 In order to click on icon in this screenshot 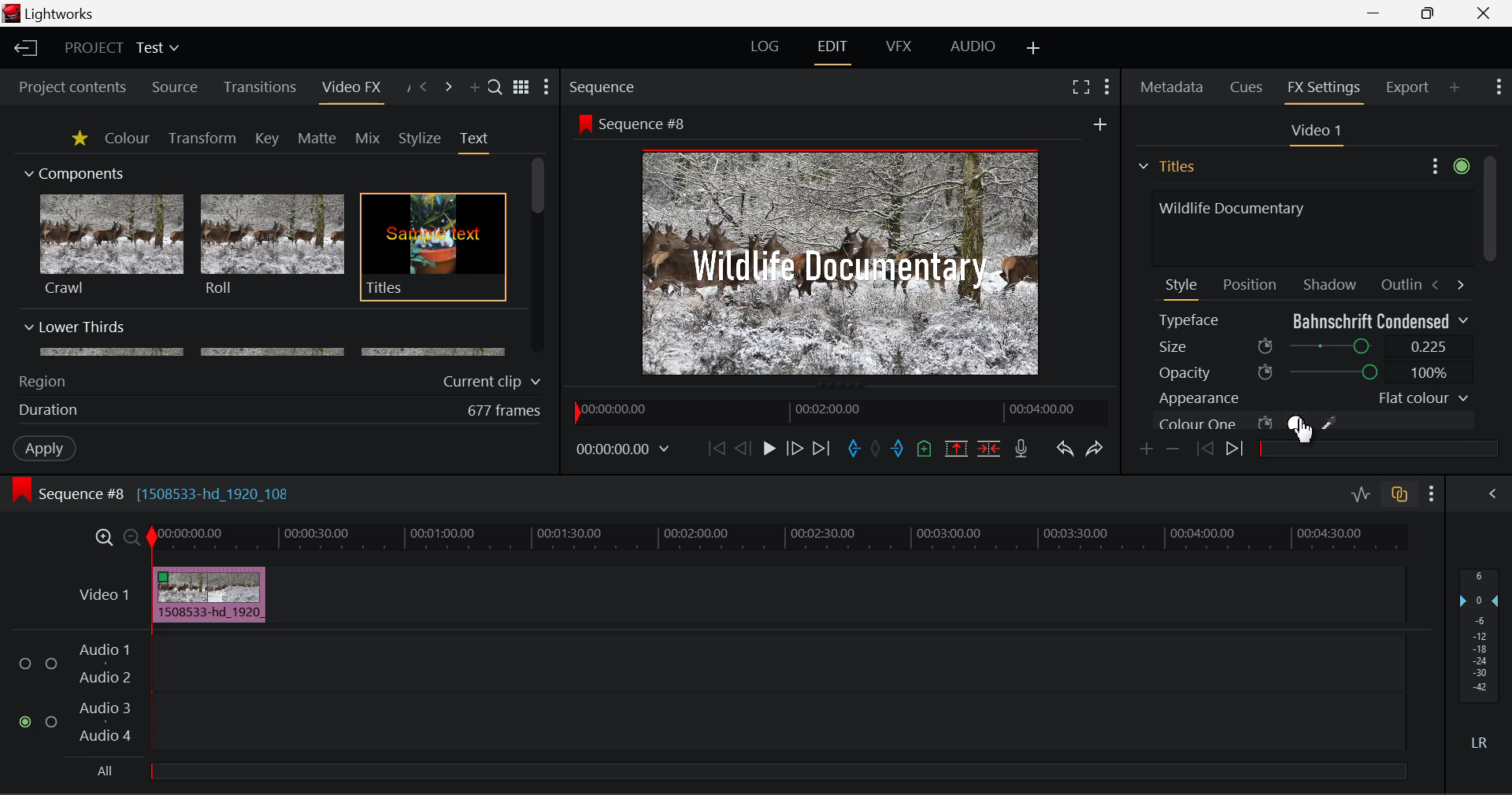, I will do `click(584, 123)`.